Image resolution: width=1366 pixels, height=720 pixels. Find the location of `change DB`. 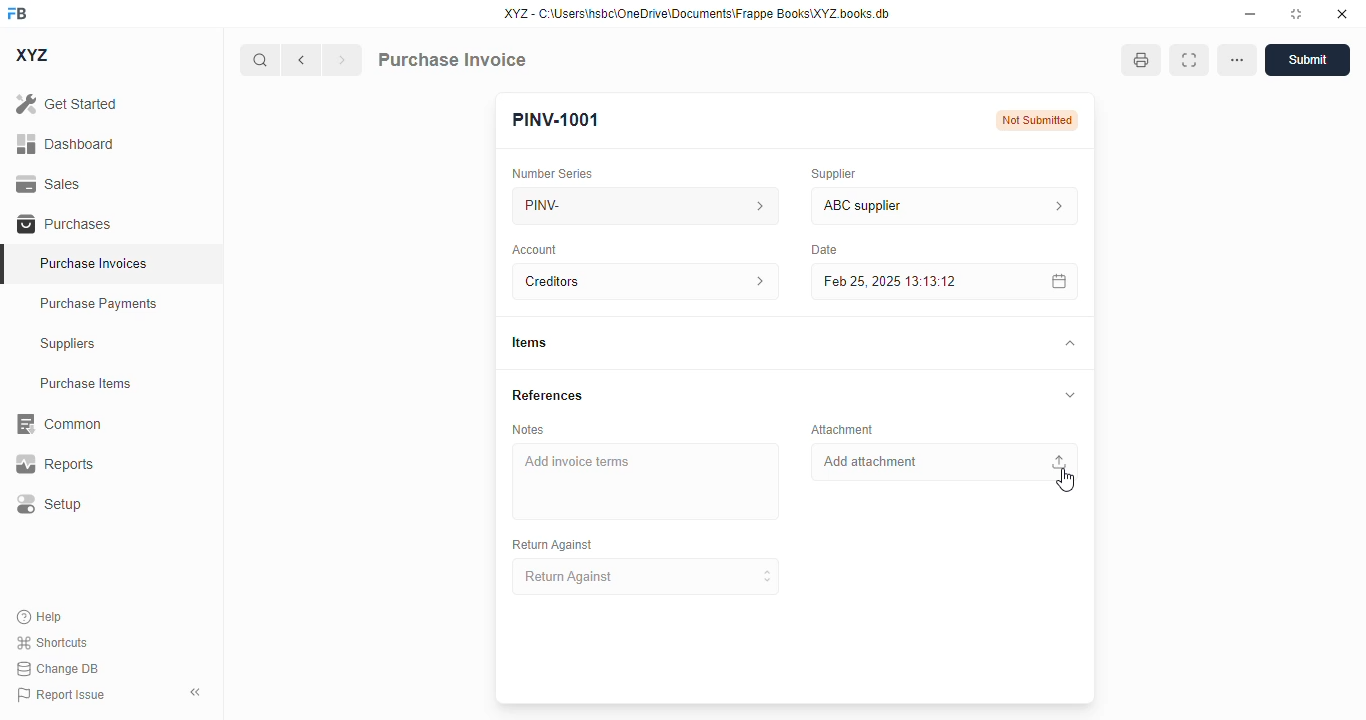

change DB is located at coordinates (57, 669).